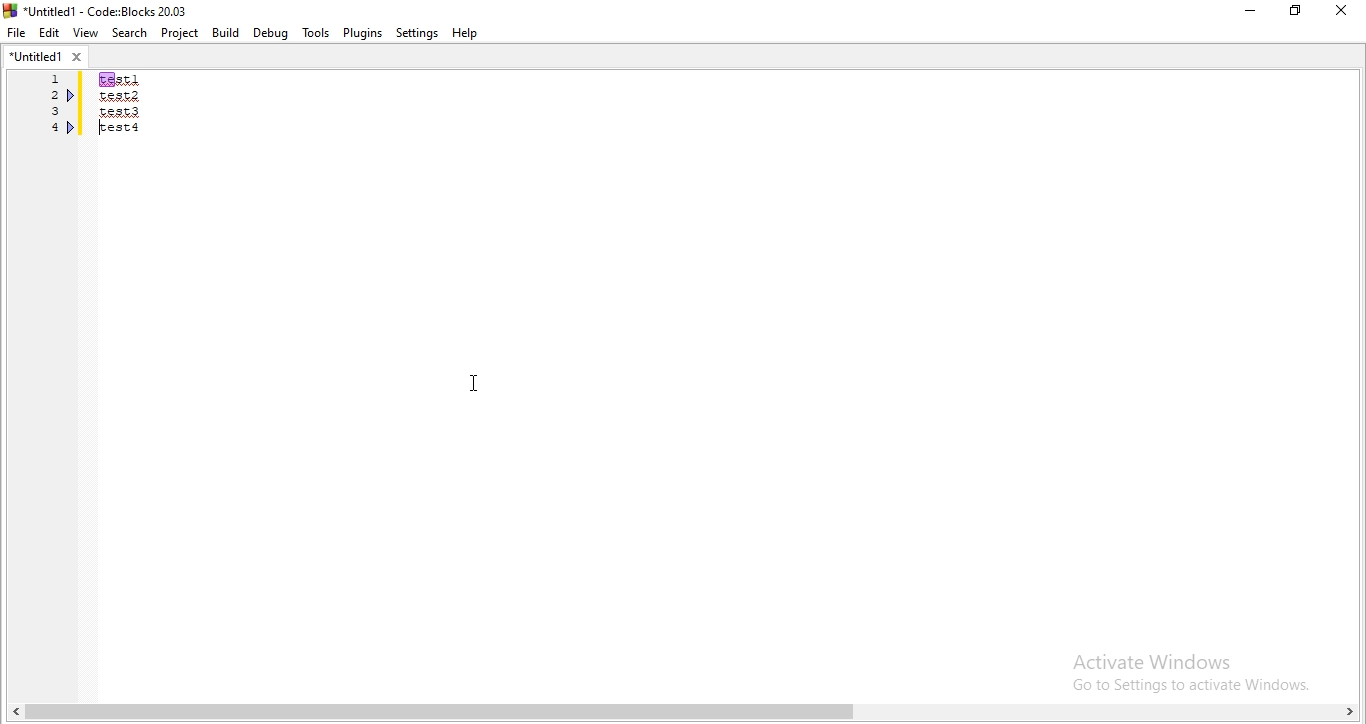 This screenshot has height=724, width=1366. What do you see at coordinates (46, 55) in the screenshot?
I see `untitled1` at bounding box center [46, 55].